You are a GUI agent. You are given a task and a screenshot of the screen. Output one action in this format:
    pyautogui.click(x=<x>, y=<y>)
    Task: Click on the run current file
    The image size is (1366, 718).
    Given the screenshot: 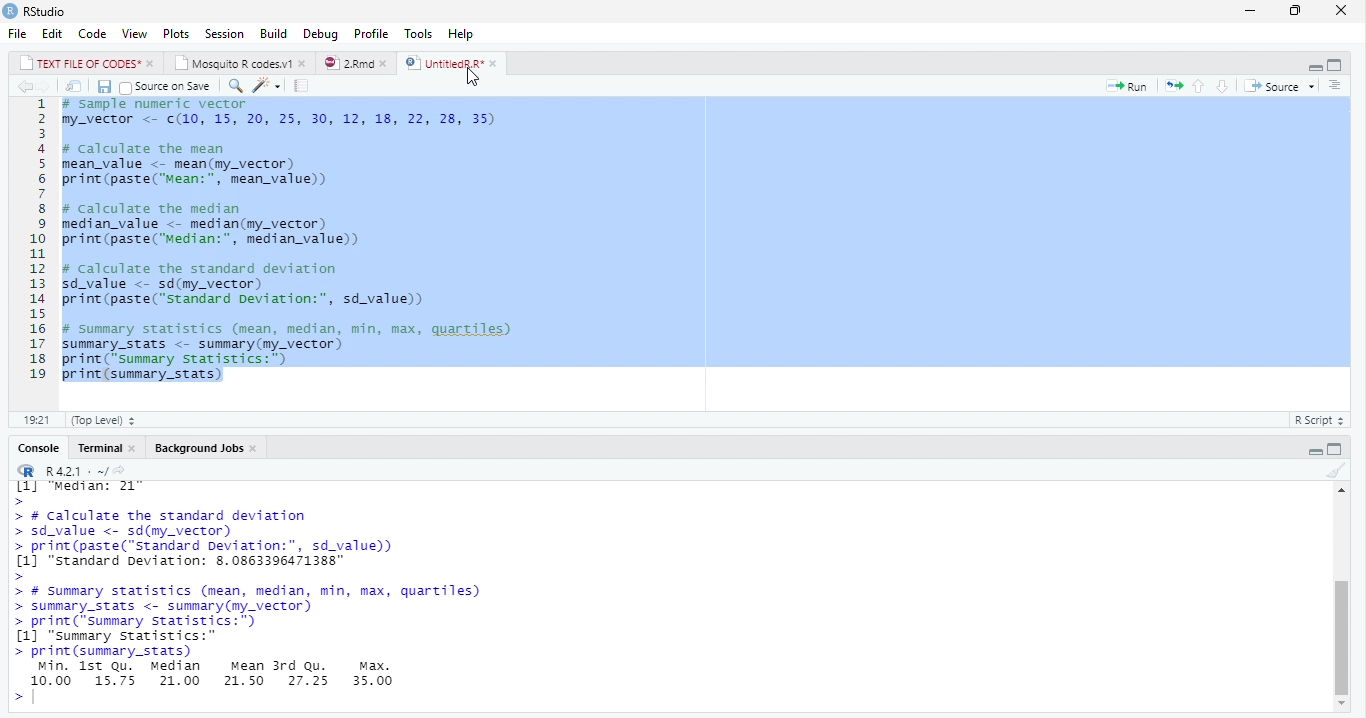 What is the action you would take?
    pyautogui.click(x=1131, y=87)
    